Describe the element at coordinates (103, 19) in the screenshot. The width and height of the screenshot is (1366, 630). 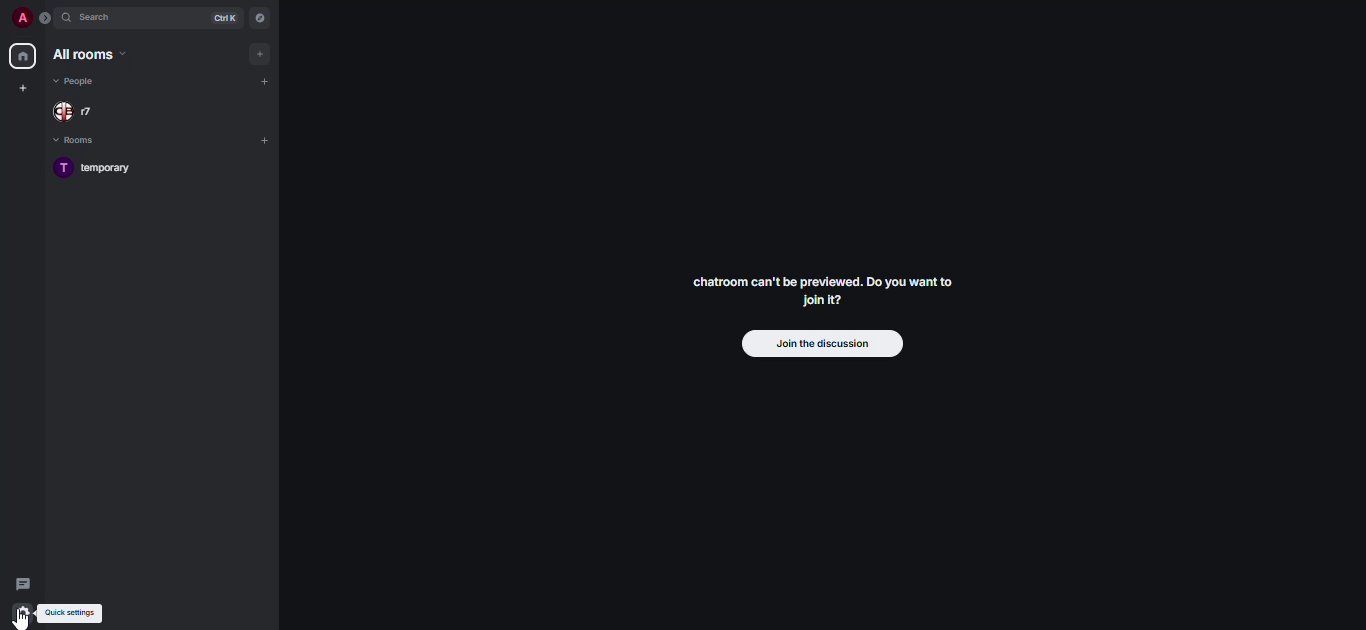
I see `search` at that location.